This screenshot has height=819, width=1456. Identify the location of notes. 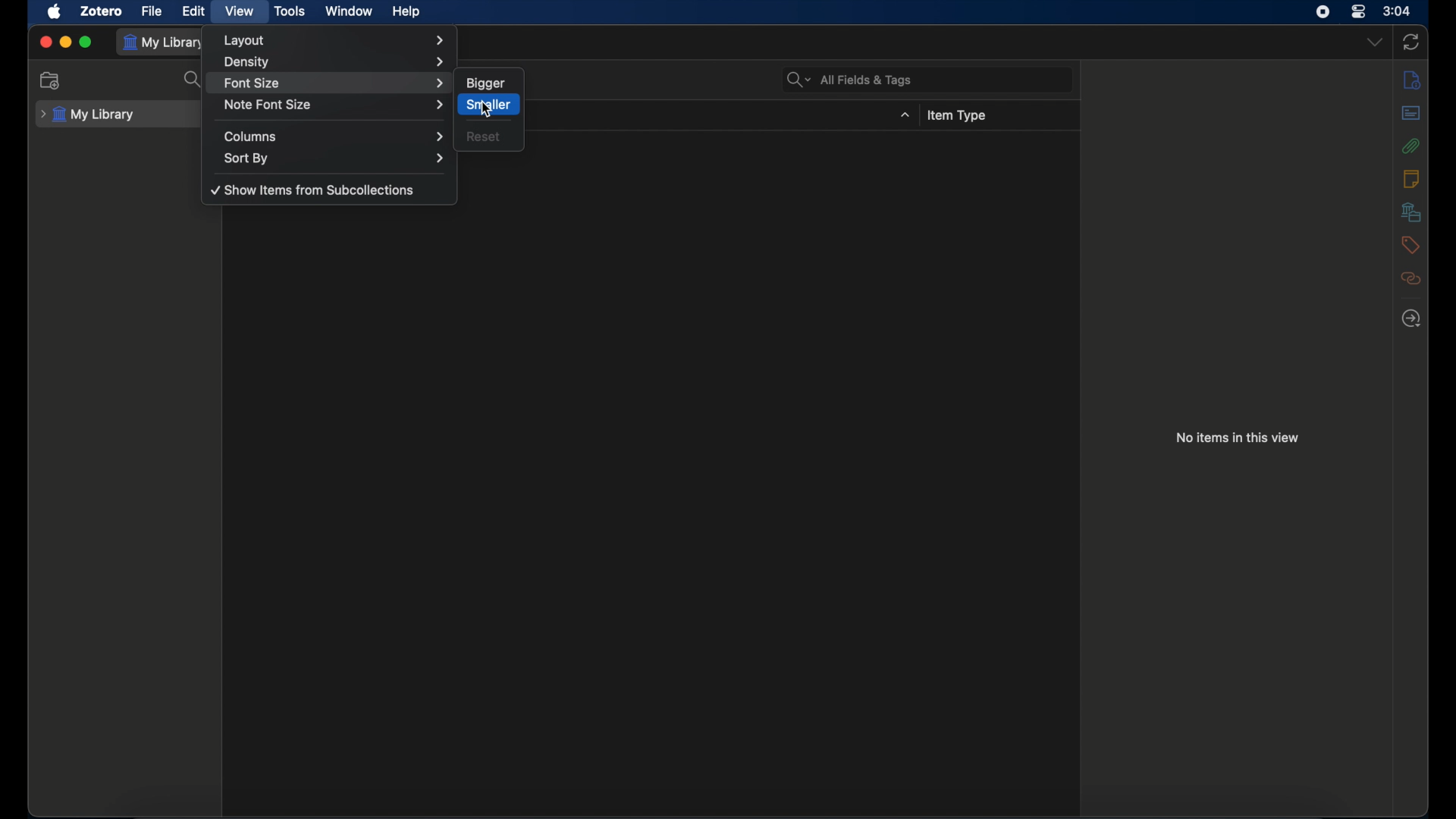
(1411, 178).